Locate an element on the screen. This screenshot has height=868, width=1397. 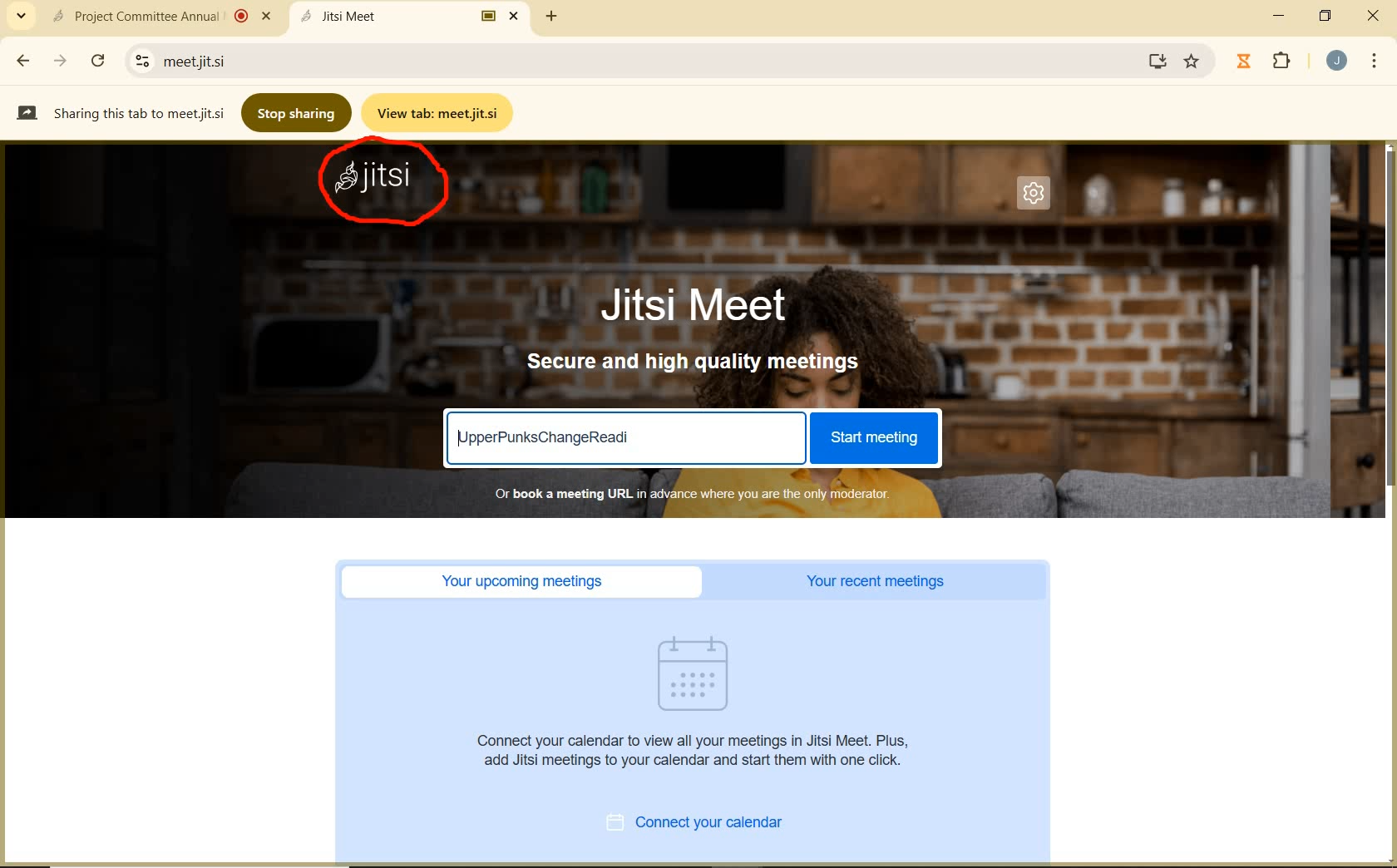
screen is located at coordinates (1154, 61).